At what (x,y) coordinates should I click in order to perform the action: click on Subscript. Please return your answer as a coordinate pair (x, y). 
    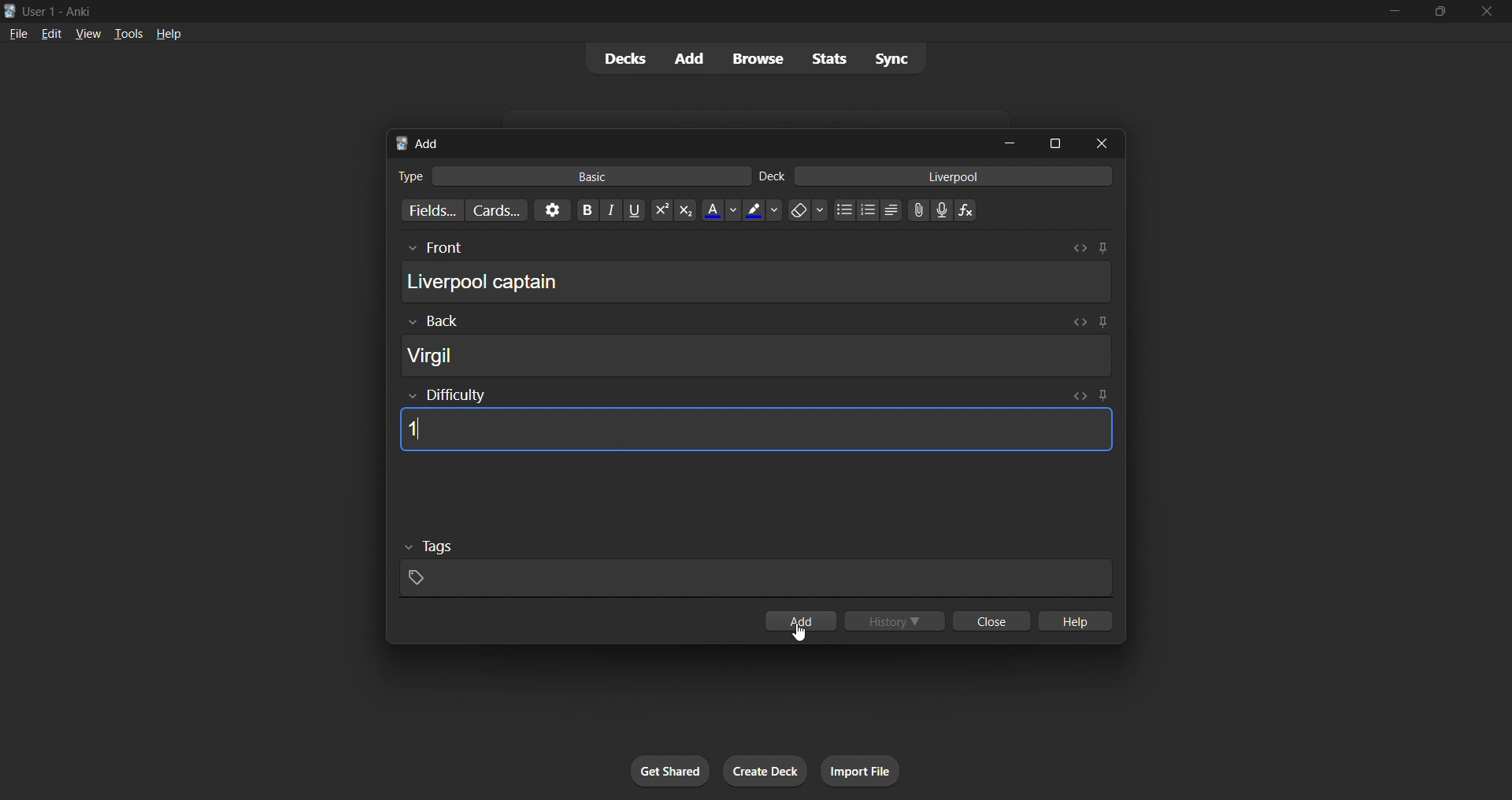
    Looking at the image, I should click on (686, 210).